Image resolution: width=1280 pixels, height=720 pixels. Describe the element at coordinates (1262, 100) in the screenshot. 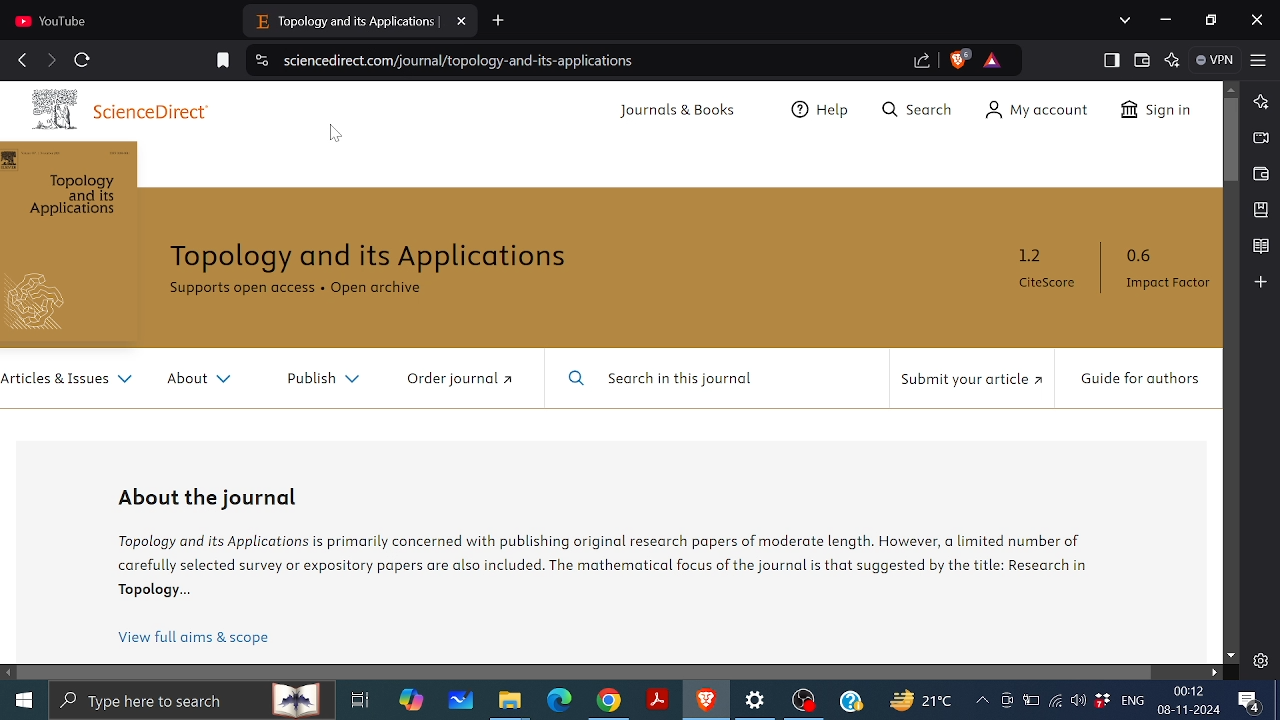

I see `Leo` at that location.